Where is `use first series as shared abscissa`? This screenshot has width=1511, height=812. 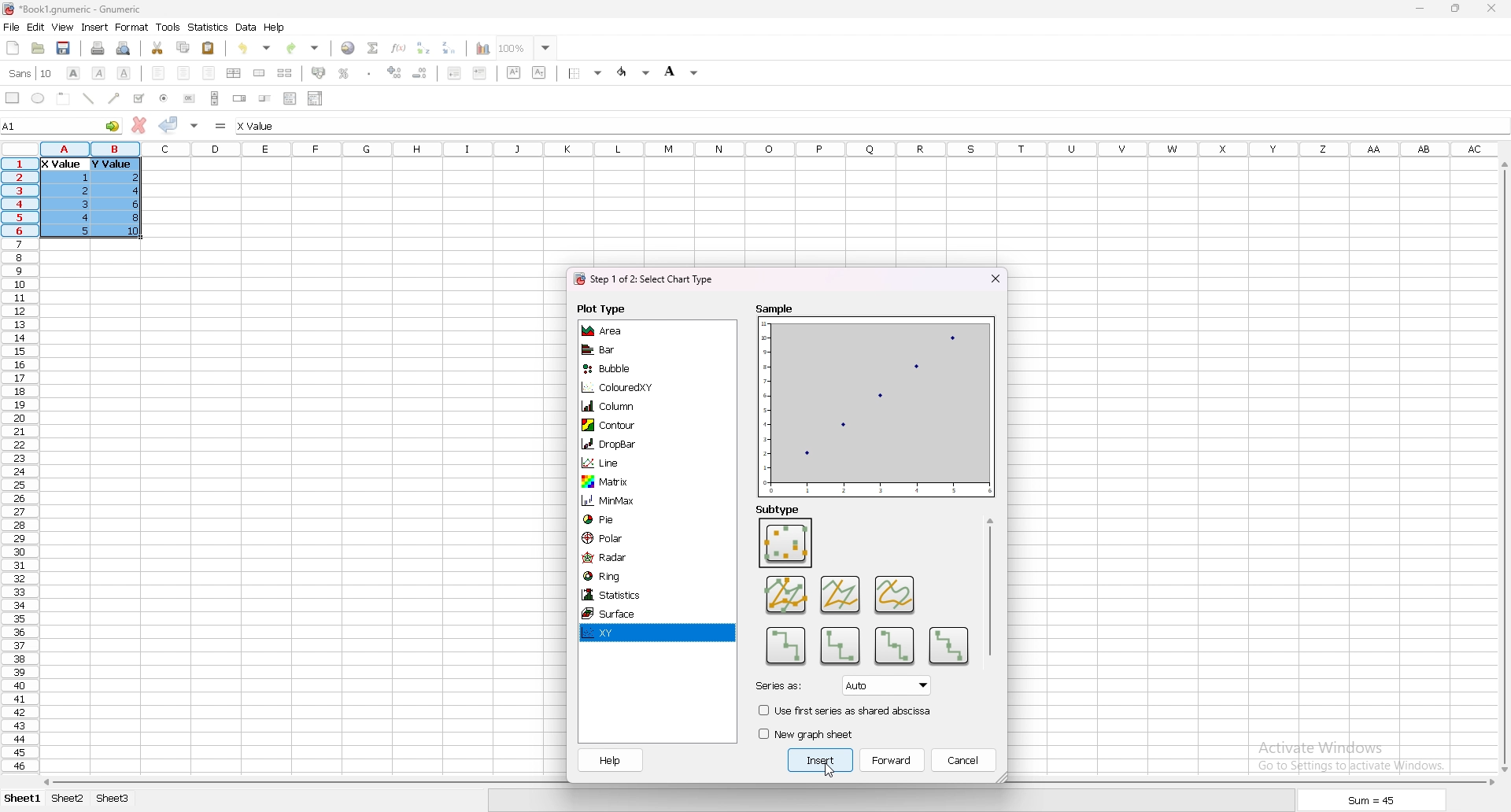 use first series as shared abscissa is located at coordinates (845, 710).